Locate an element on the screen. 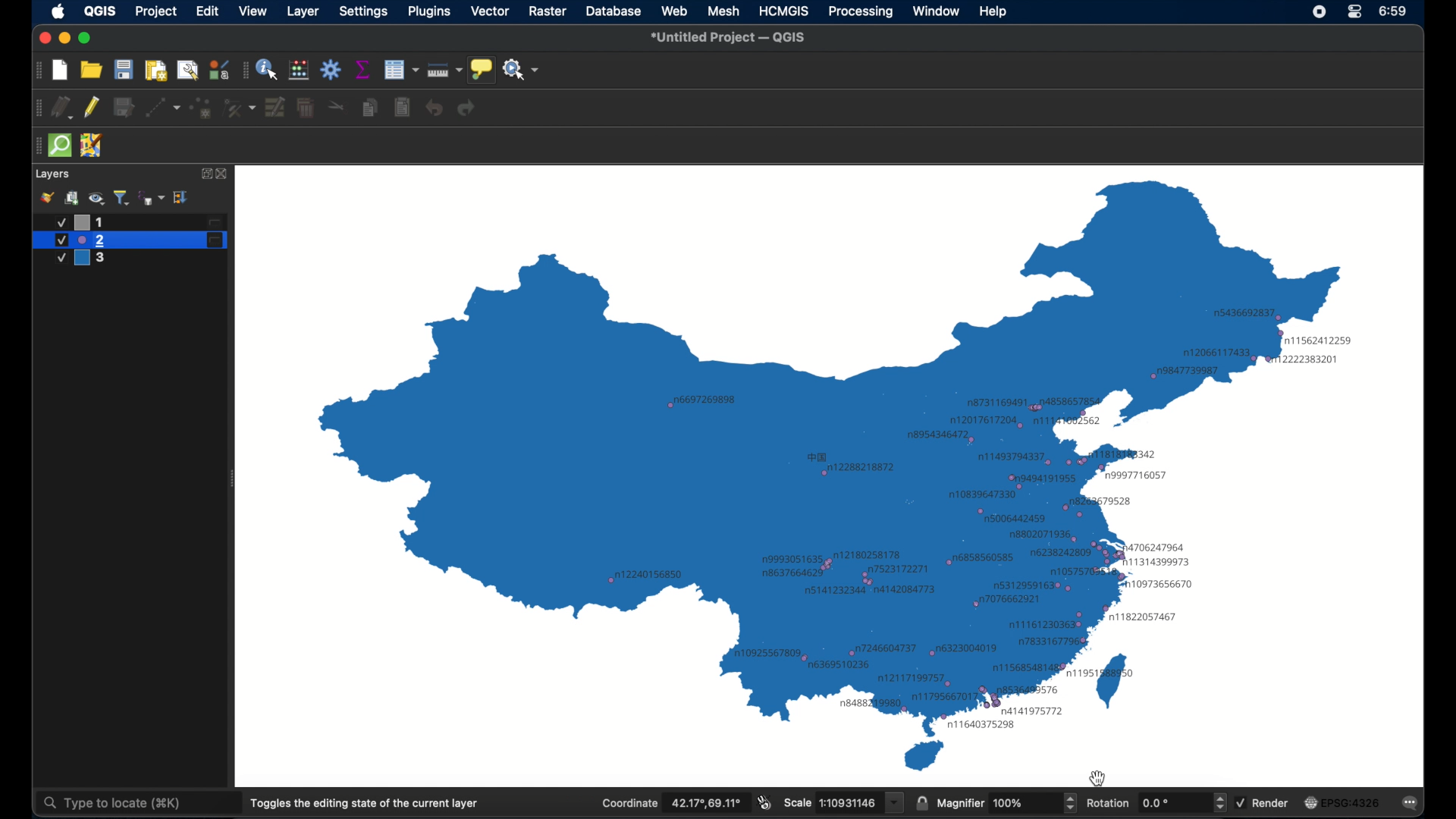 This screenshot has height=819, width=1456. lock scale is located at coordinates (921, 803).